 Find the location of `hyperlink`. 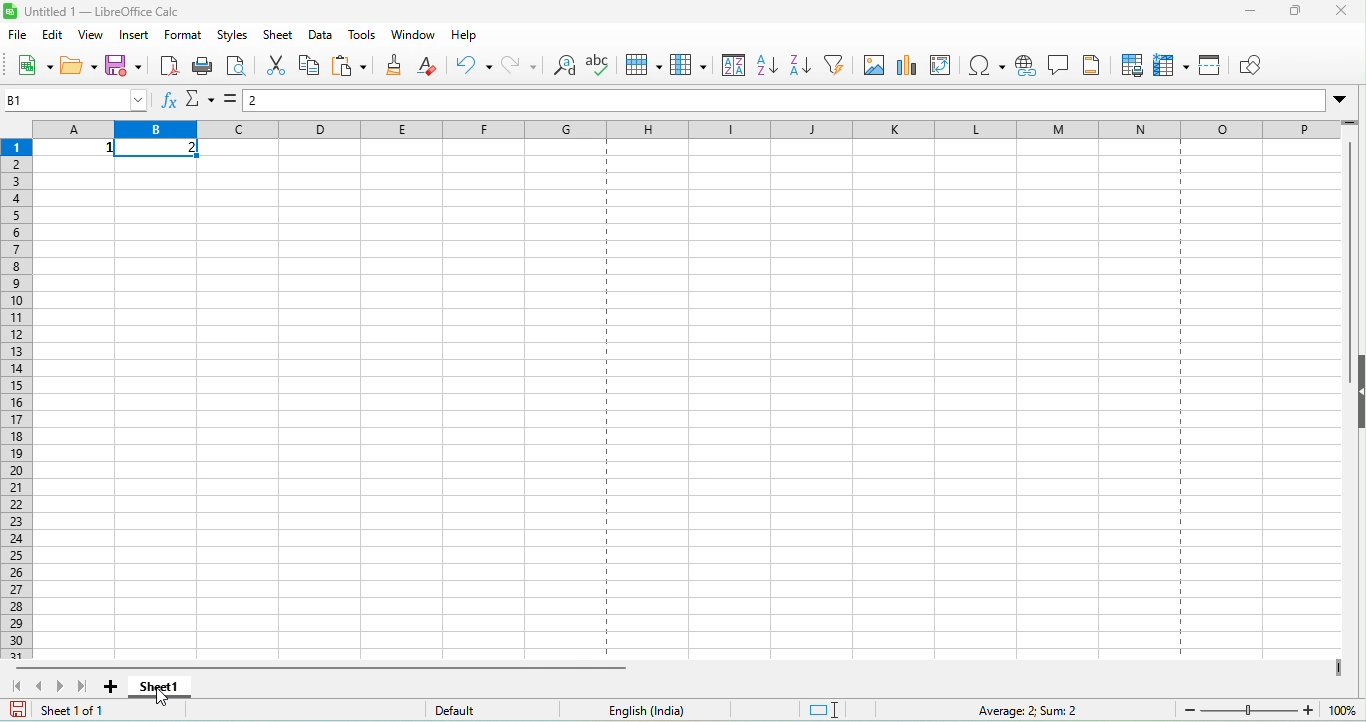

hyperlink is located at coordinates (1028, 68).